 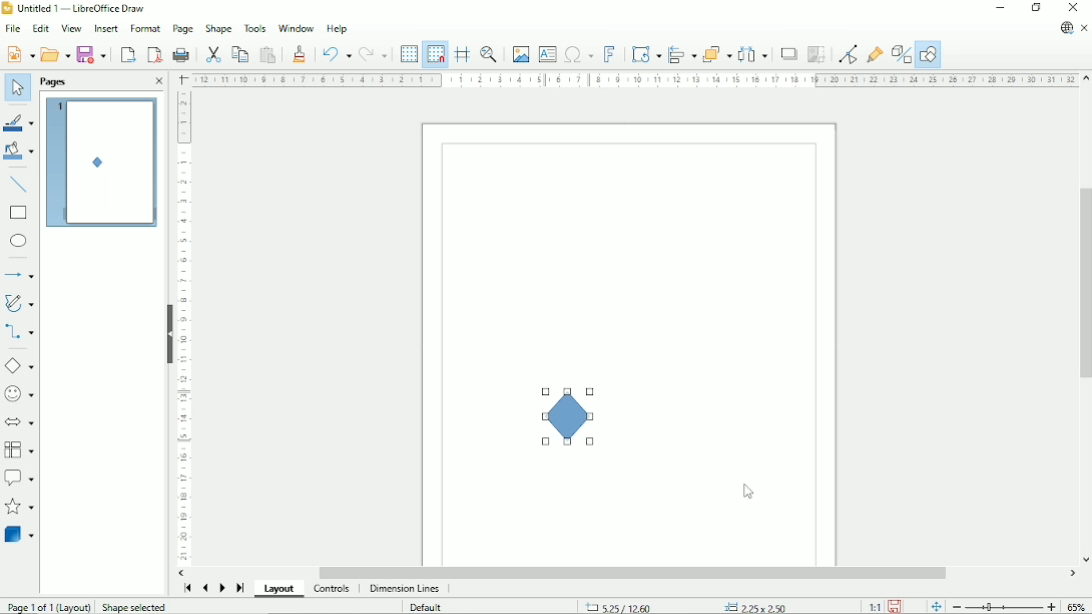 What do you see at coordinates (19, 241) in the screenshot?
I see `Ellipse` at bounding box center [19, 241].